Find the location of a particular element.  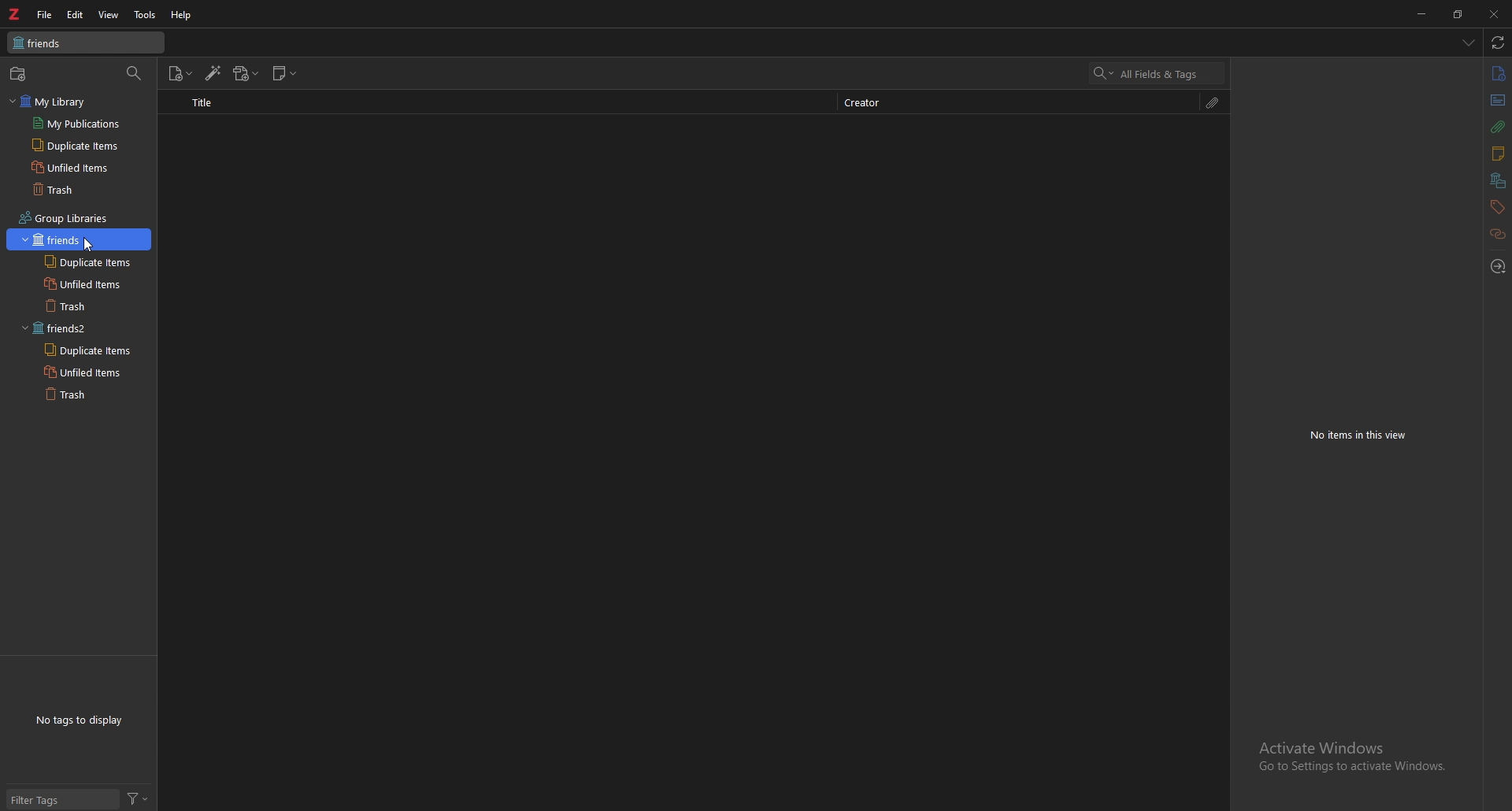

friends is located at coordinates (86, 43).